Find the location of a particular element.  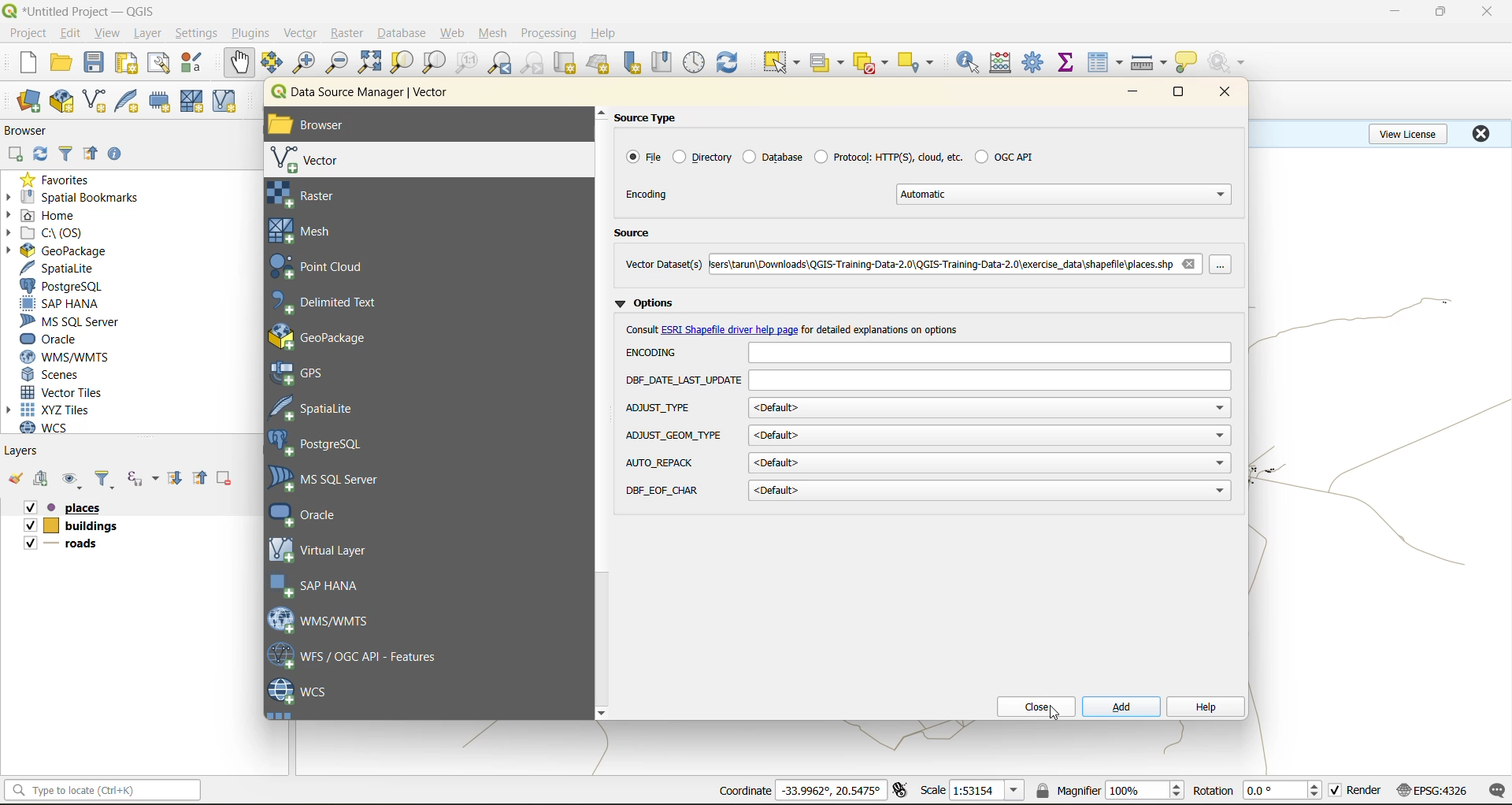

checkbox is located at coordinates (28, 508).